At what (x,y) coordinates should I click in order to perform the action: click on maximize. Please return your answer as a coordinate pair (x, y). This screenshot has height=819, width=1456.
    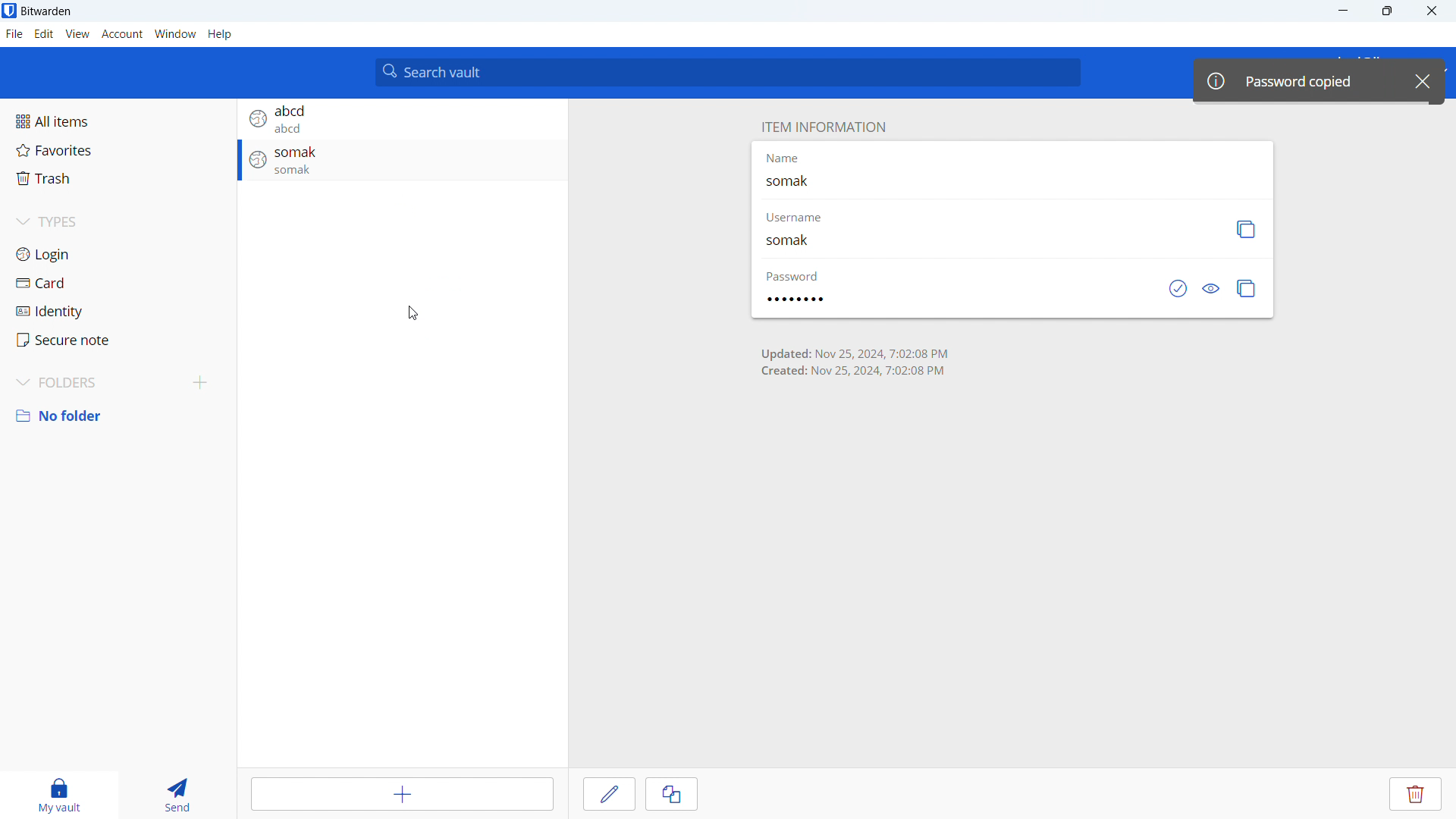
    Looking at the image, I should click on (1386, 11).